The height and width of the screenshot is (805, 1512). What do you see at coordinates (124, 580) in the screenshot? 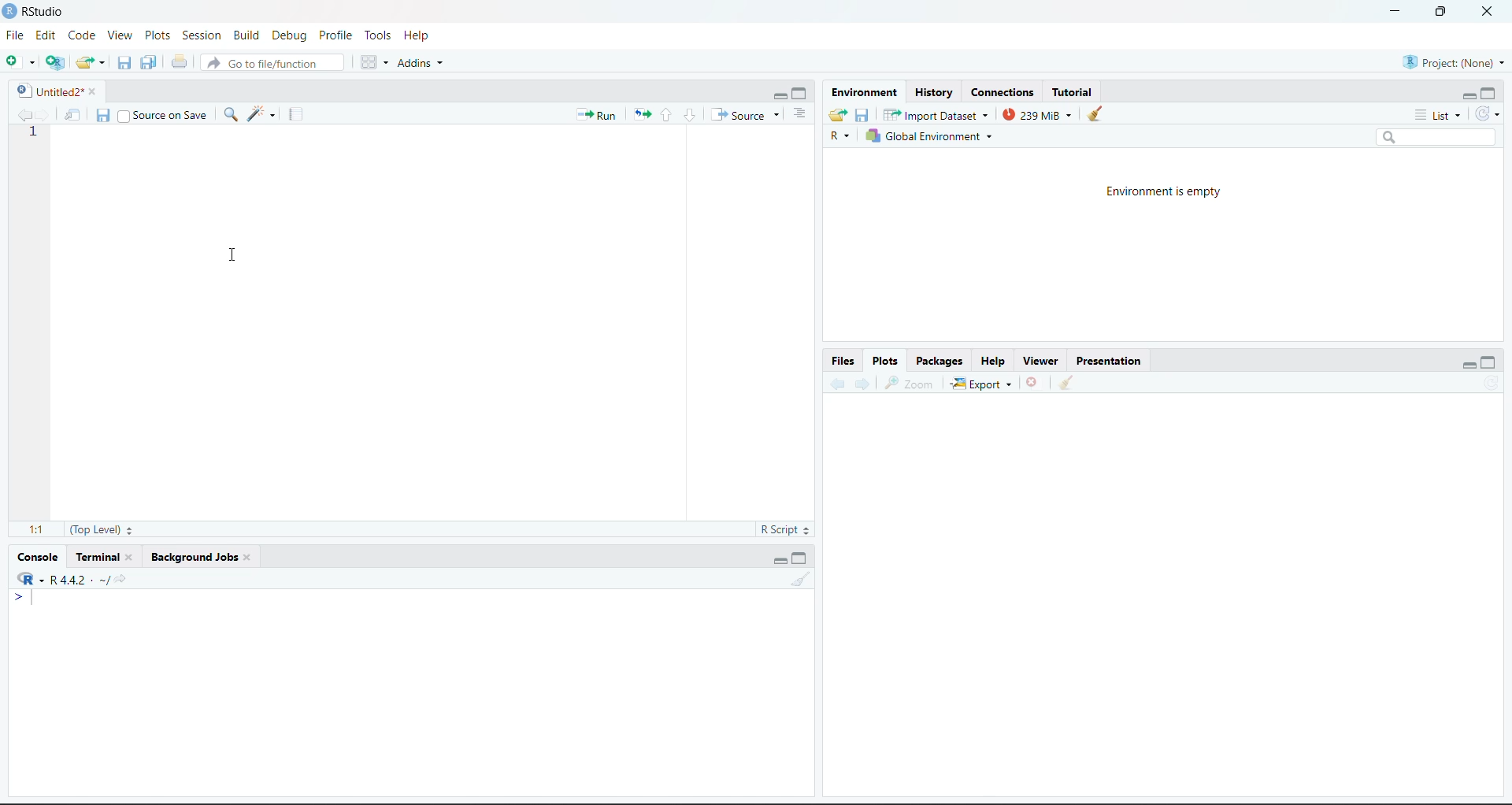
I see `View the current working directory` at bounding box center [124, 580].